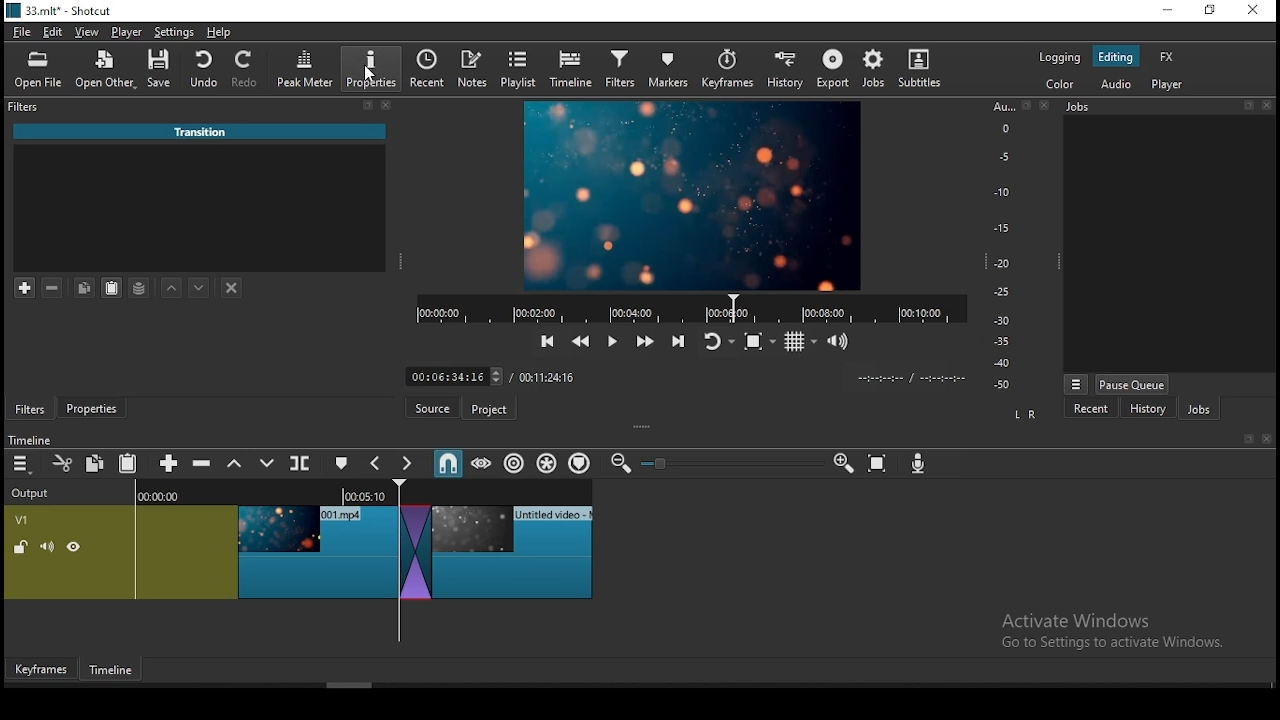  Describe the element at coordinates (344, 464) in the screenshot. I see `create/edit marker` at that location.